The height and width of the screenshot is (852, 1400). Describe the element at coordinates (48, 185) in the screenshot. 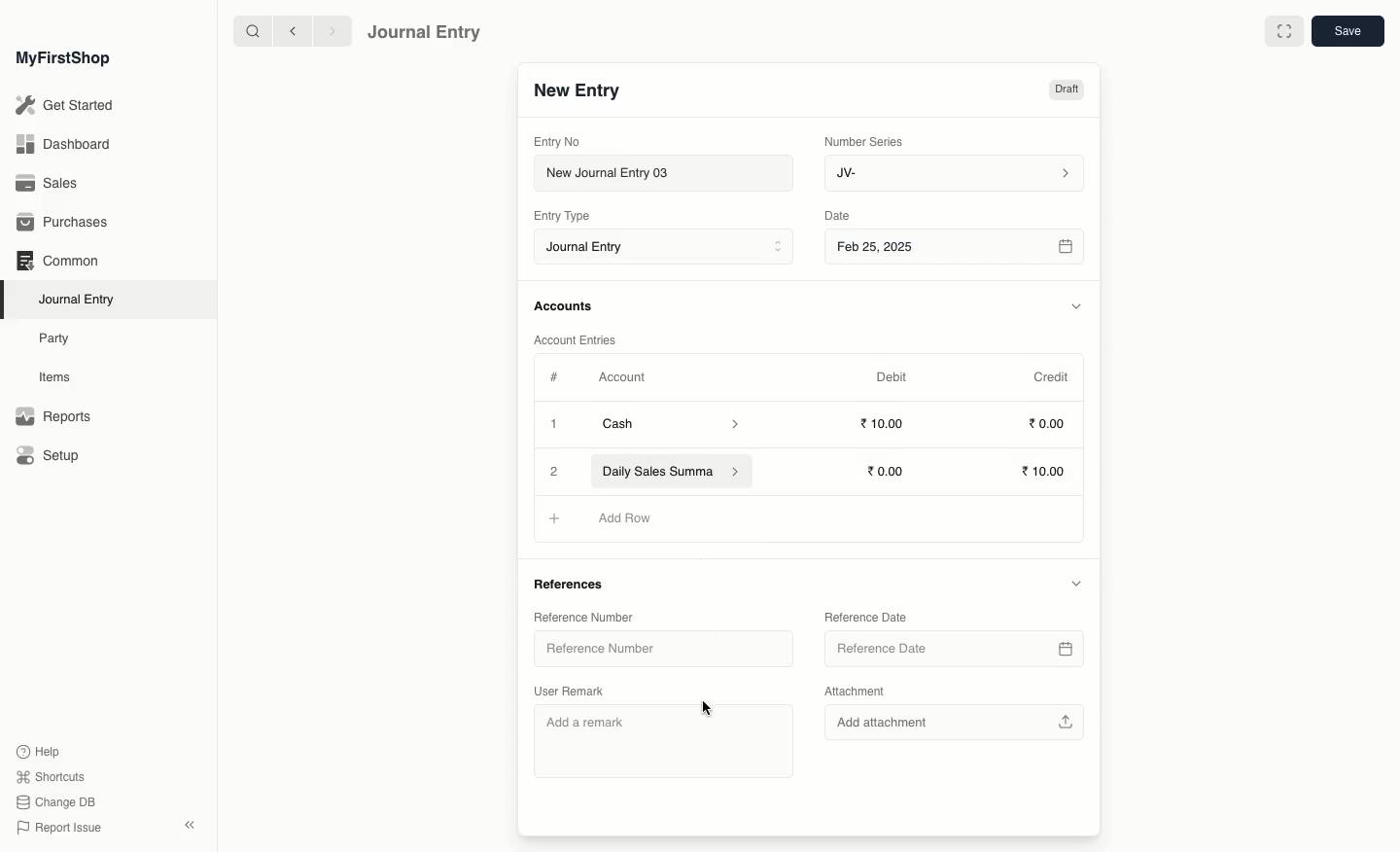

I see `Sales` at that location.